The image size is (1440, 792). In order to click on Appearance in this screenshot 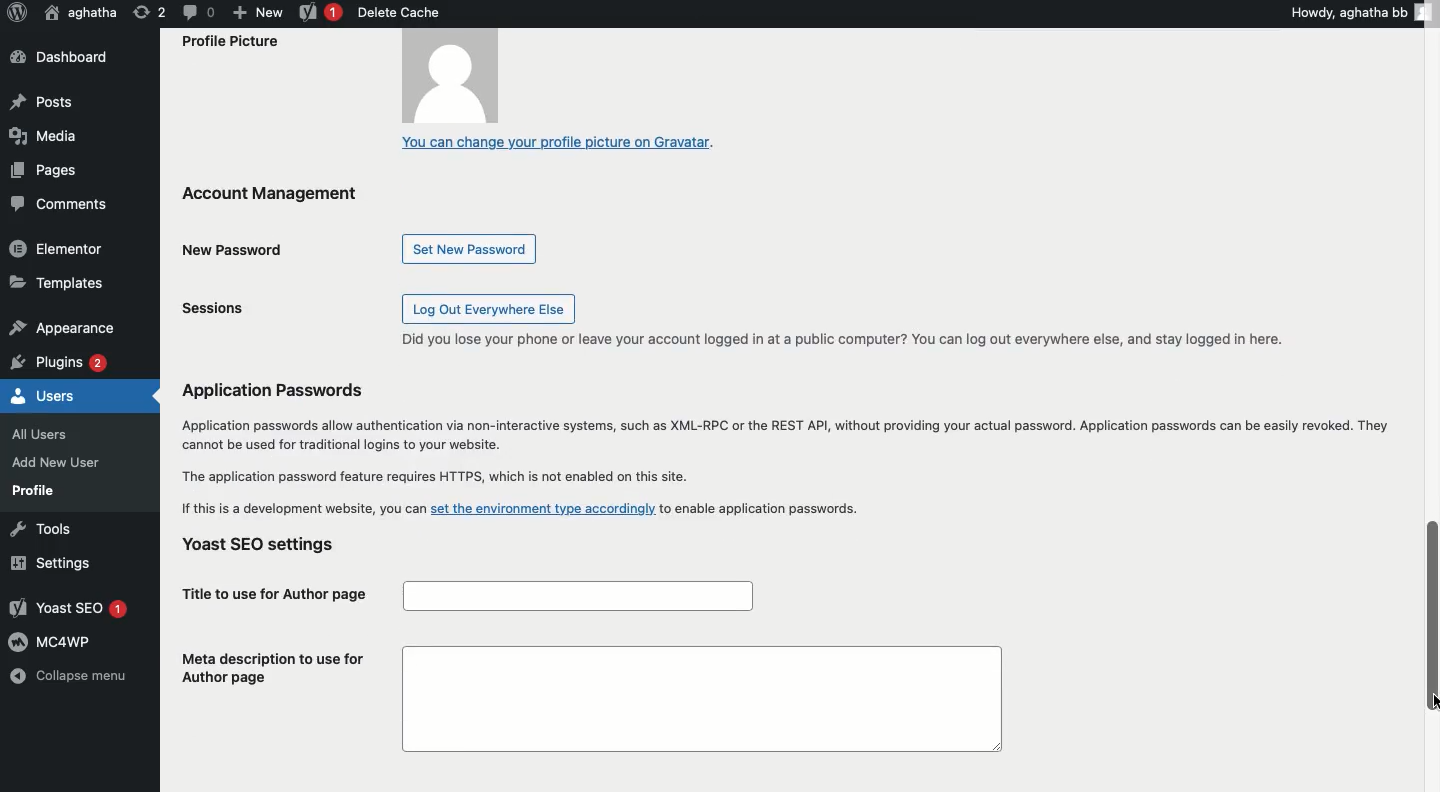, I will do `click(61, 325)`.